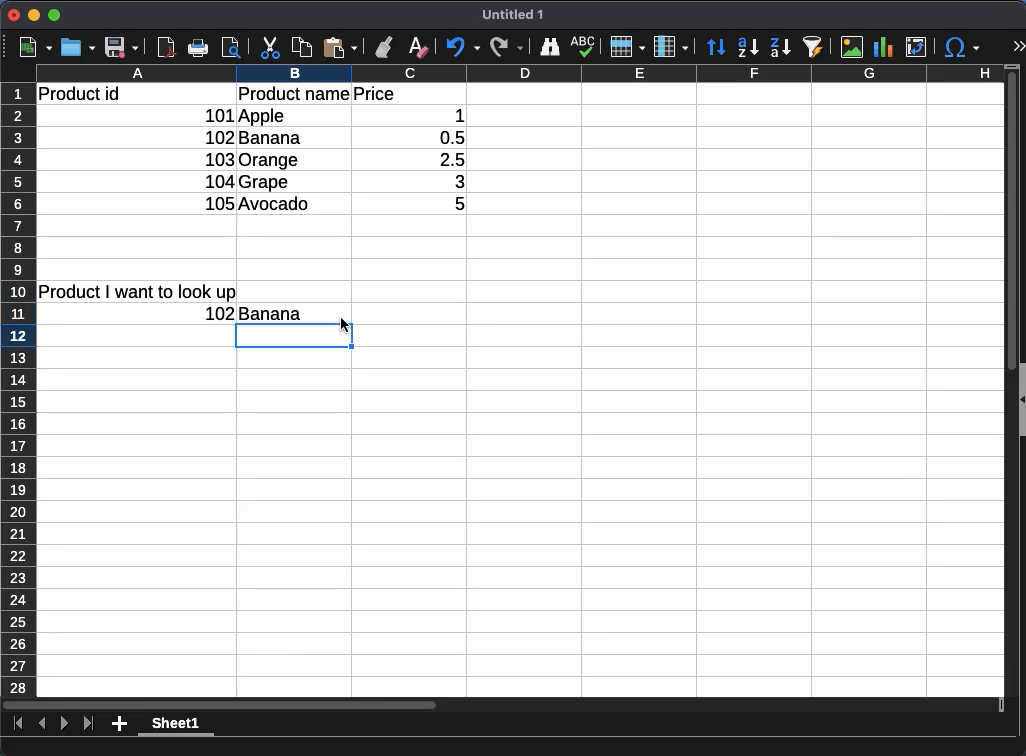 This screenshot has height=756, width=1026. I want to click on finder, so click(550, 47).